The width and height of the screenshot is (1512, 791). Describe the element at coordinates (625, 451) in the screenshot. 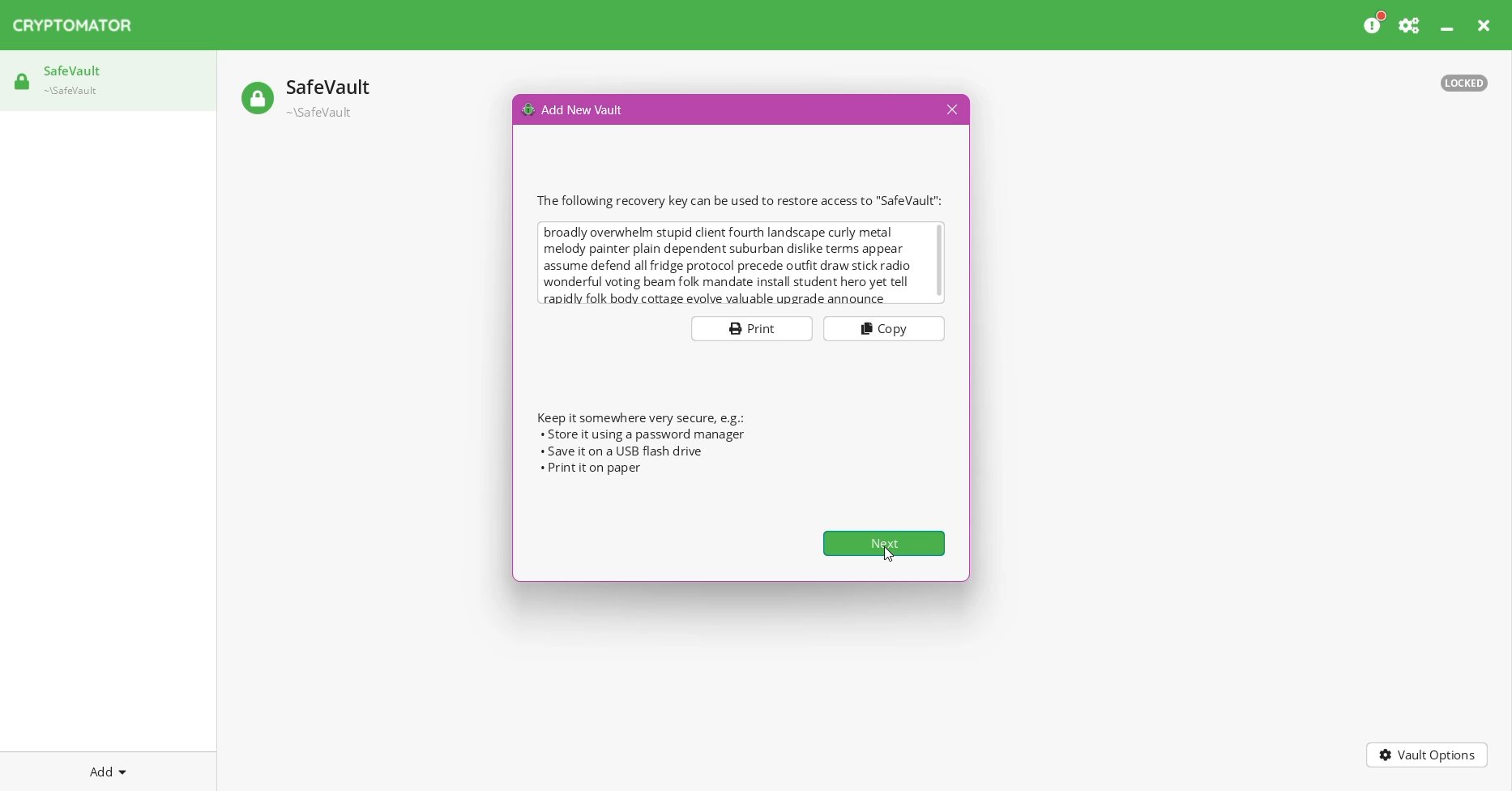

I see `Save it on a USB Flash drive` at that location.